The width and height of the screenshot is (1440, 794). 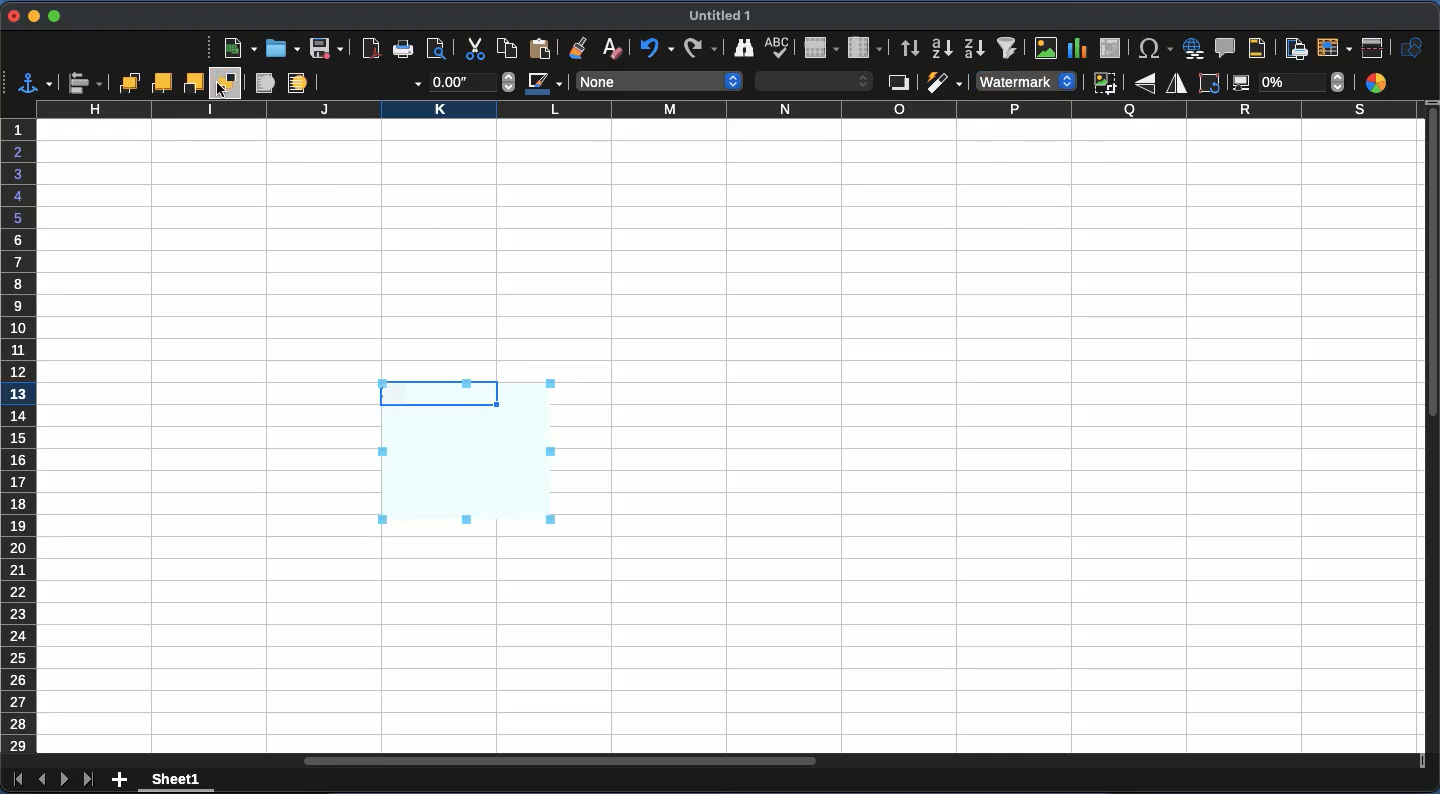 What do you see at coordinates (909, 47) in the screenshot?
I see `sort` at bounding box center [909, 47].